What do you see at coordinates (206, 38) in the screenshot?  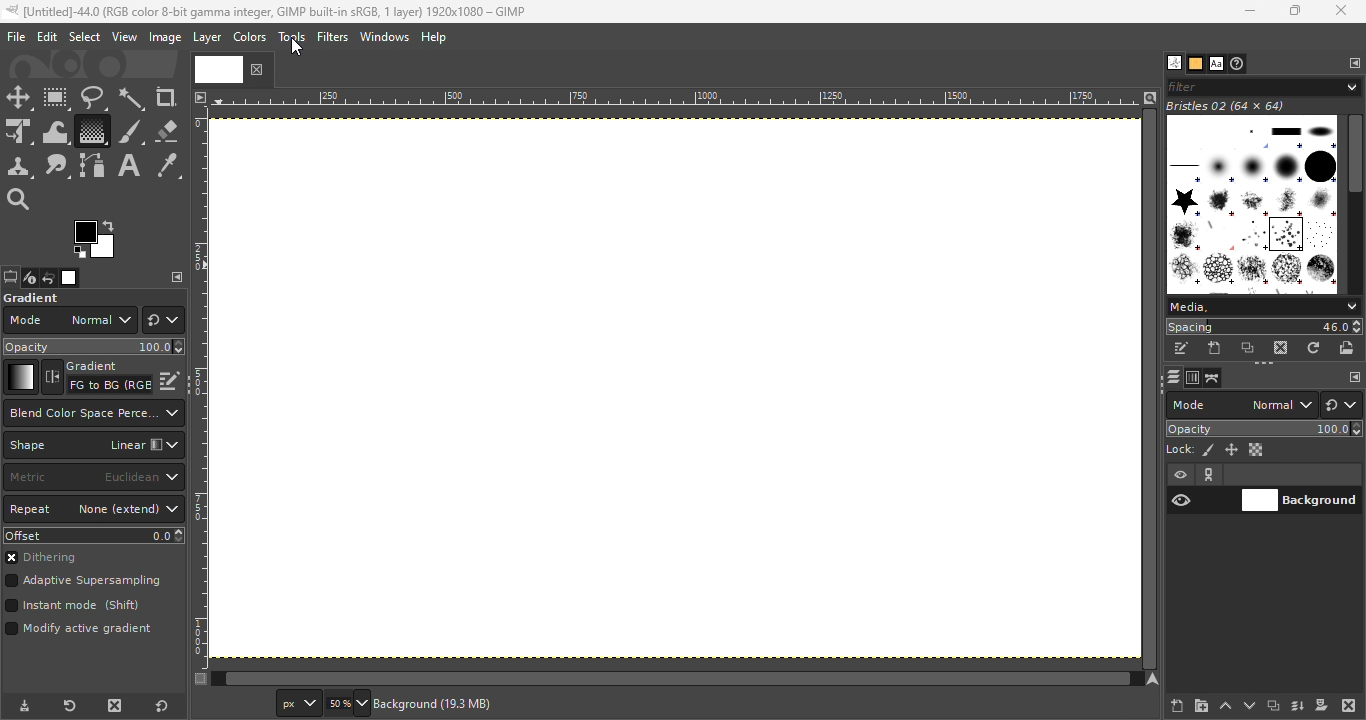 I see `Layer` at bounding box center [206, 38].